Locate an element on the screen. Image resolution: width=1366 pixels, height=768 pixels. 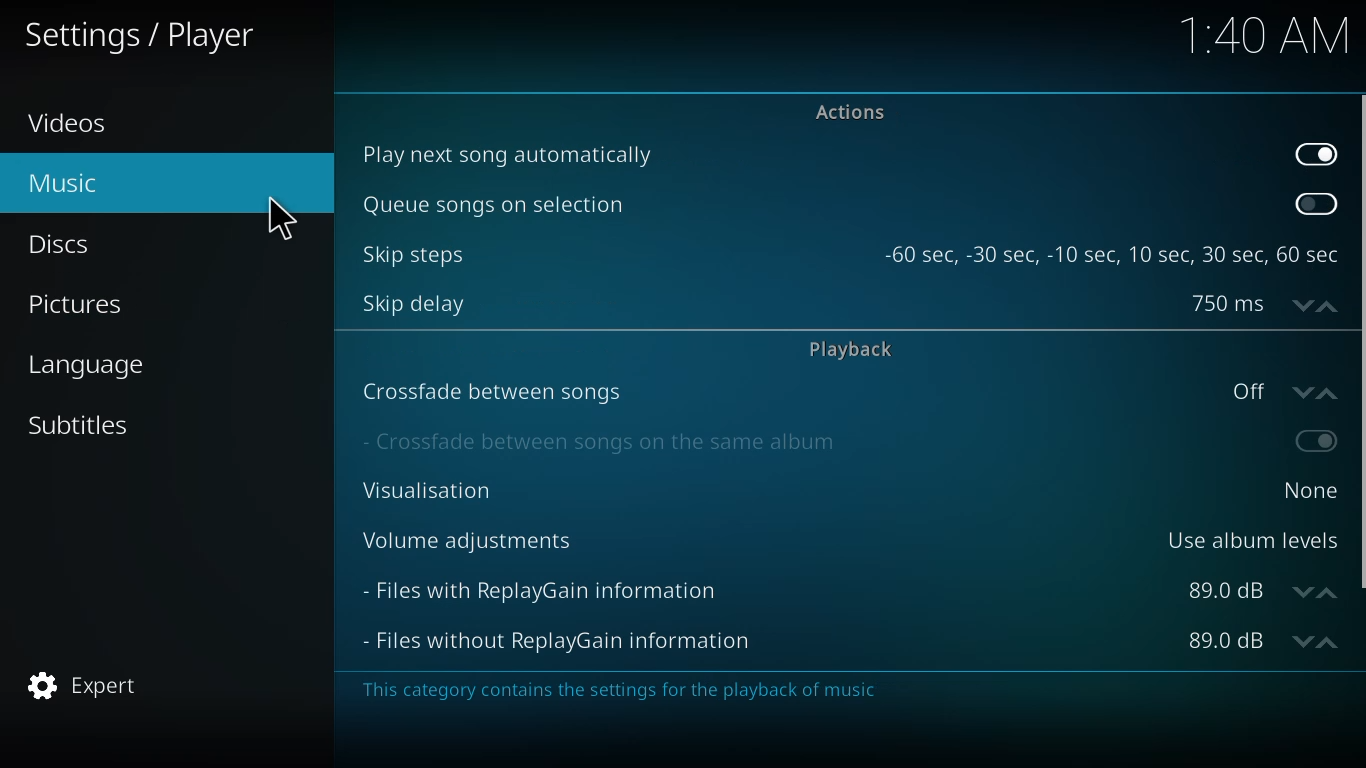
actions is located at coordinates (848, 113).